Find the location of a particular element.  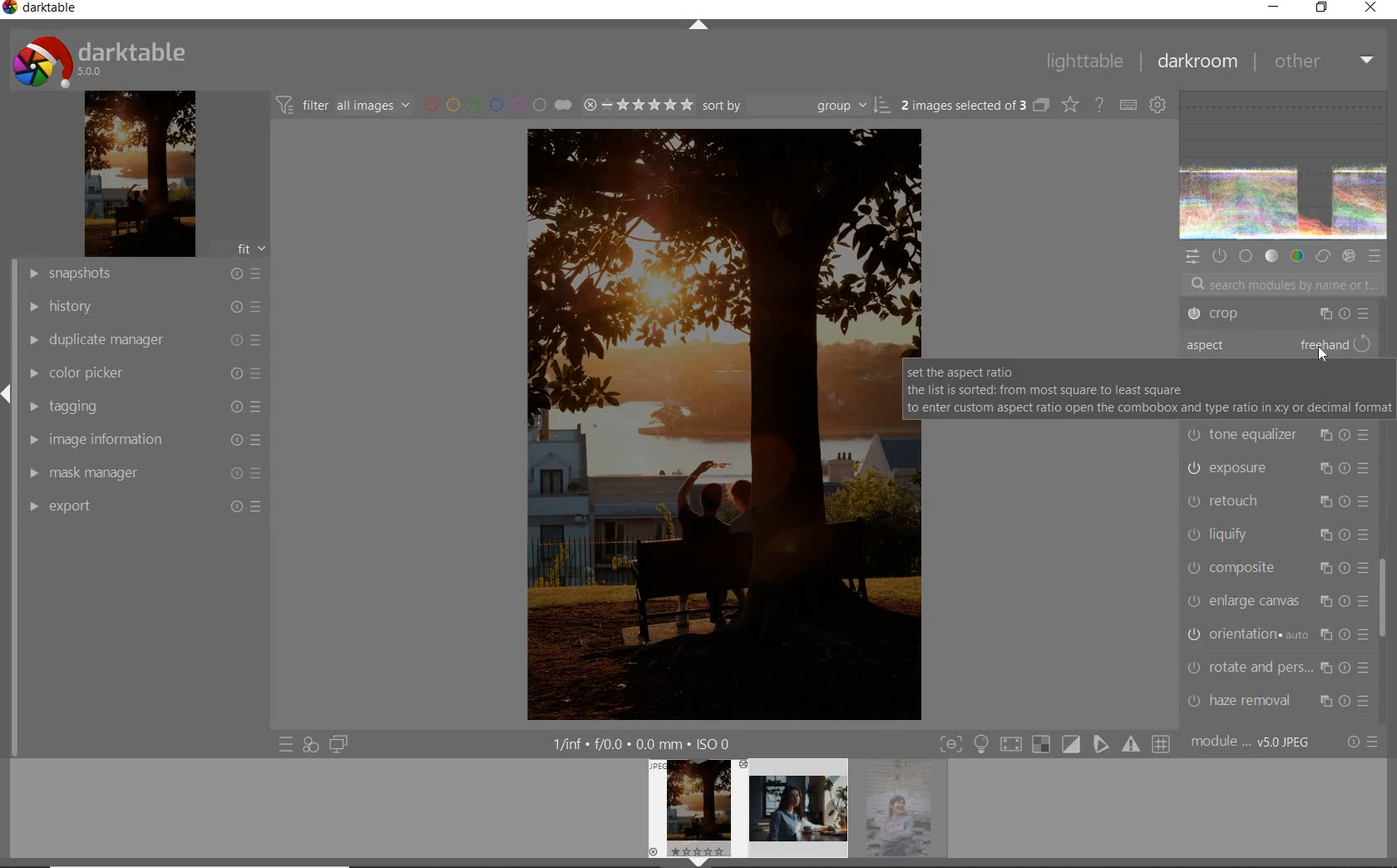

display a second darkroom image window is located at coordinates (338, 746).